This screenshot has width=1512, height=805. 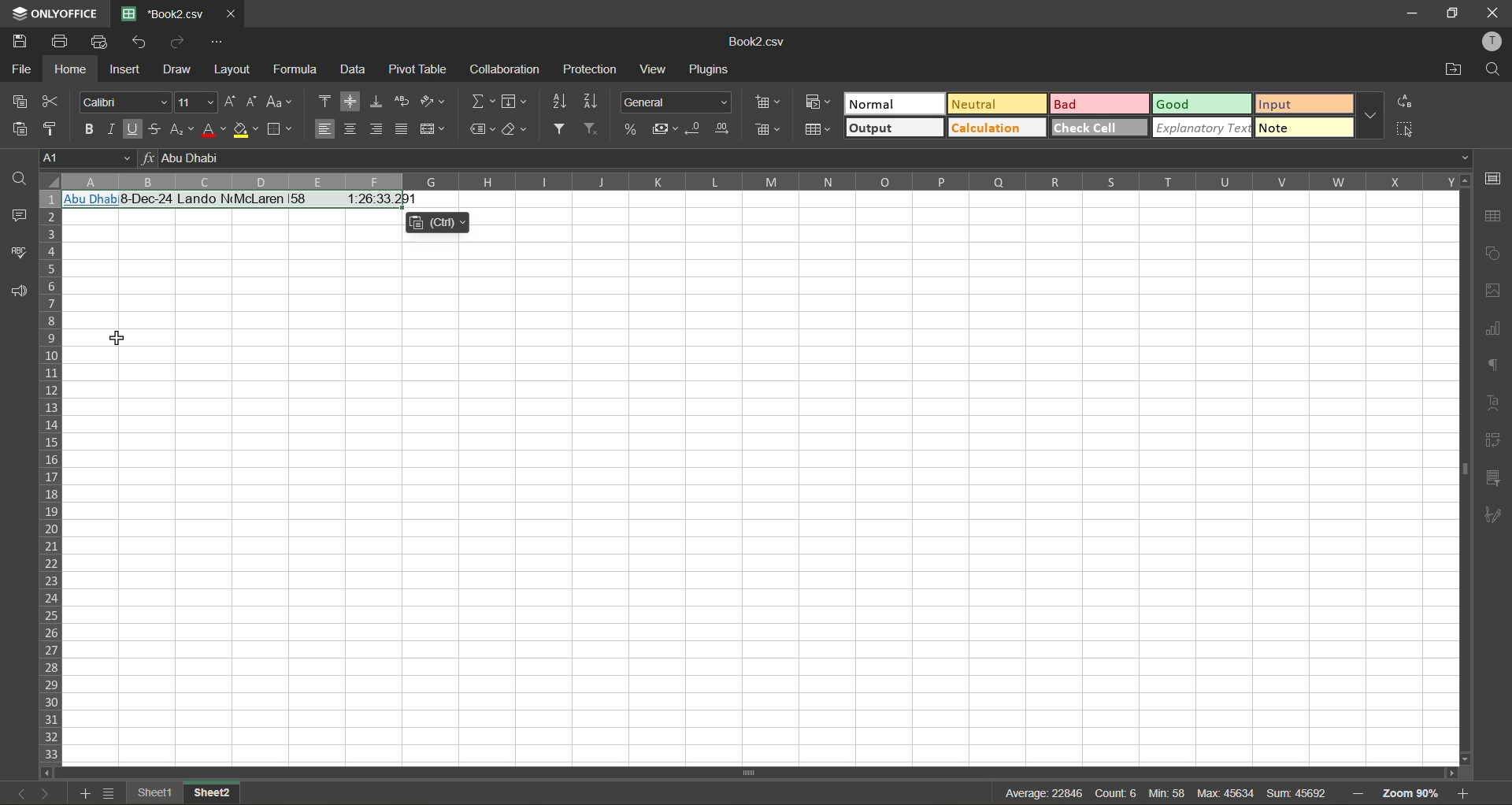 I want to click on profile, so click(x=1493, y=43).